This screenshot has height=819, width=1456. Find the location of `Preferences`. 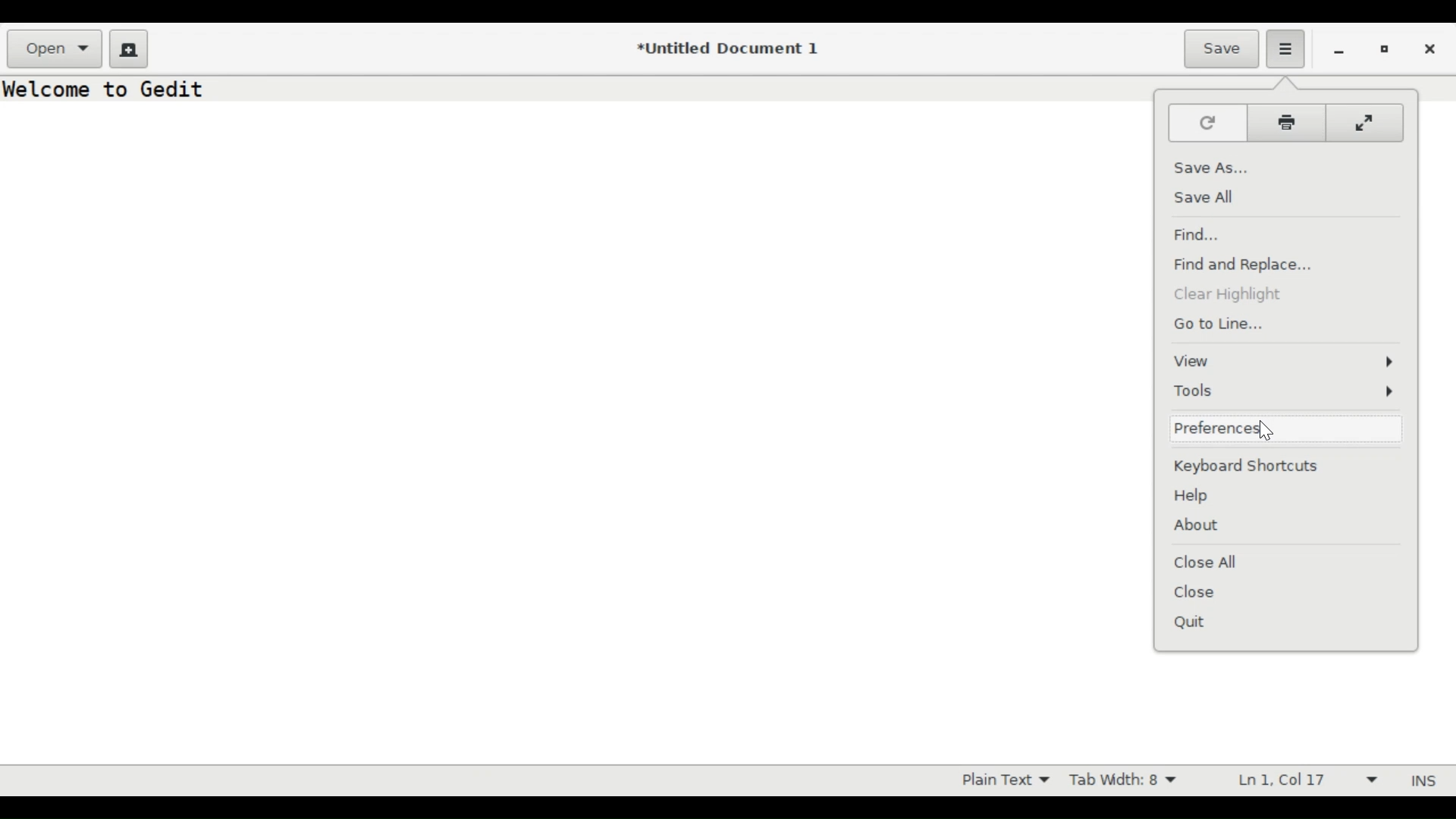

Preferences is located at coordinates (1214, 430).